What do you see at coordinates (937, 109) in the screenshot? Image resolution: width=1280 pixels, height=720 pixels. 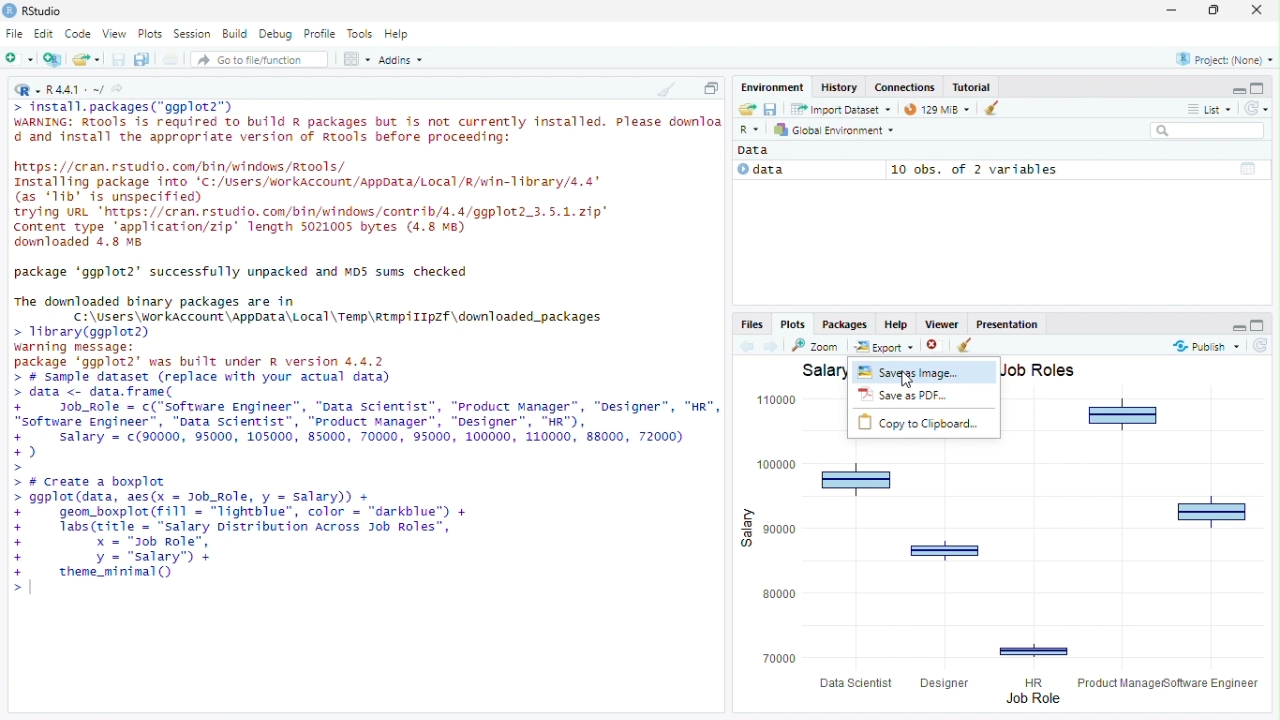 I see `current memory usage - 129MiB` at bounding box center [937, 109].